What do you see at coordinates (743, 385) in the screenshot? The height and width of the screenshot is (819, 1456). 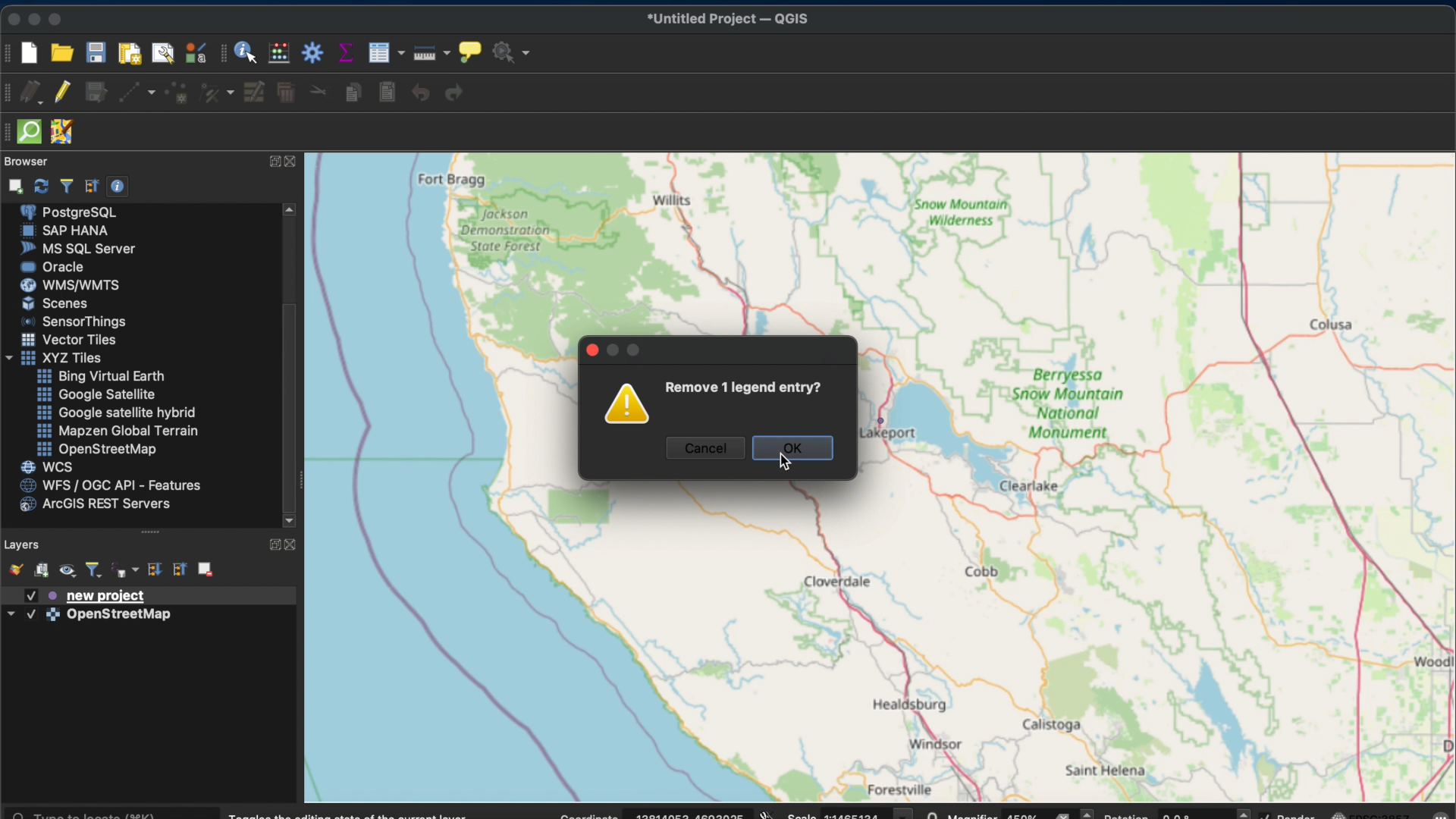 I see `remove1 legend entry?` at bounding box center [743, 385].